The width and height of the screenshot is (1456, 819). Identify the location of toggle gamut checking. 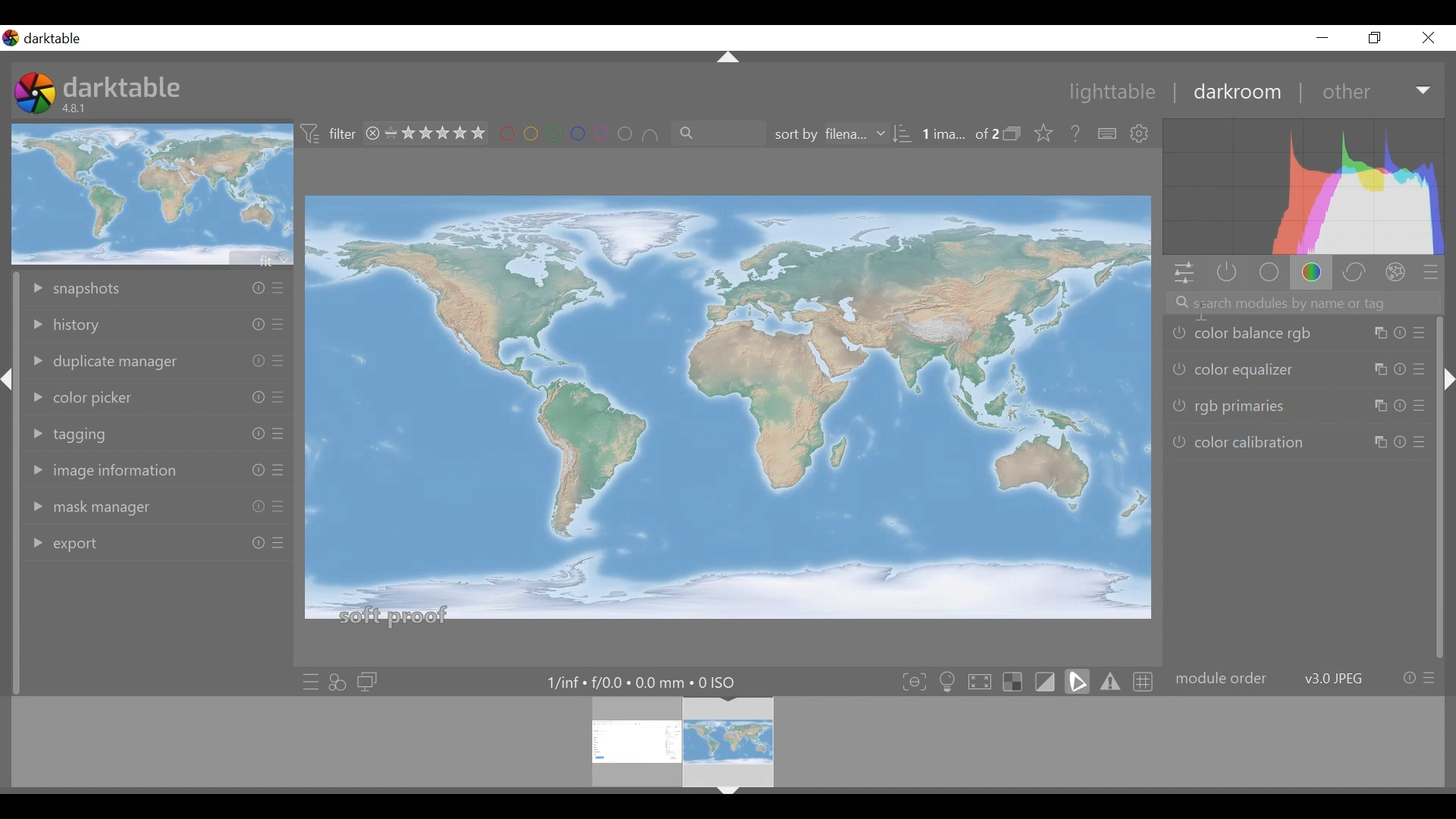
(1111, 681).